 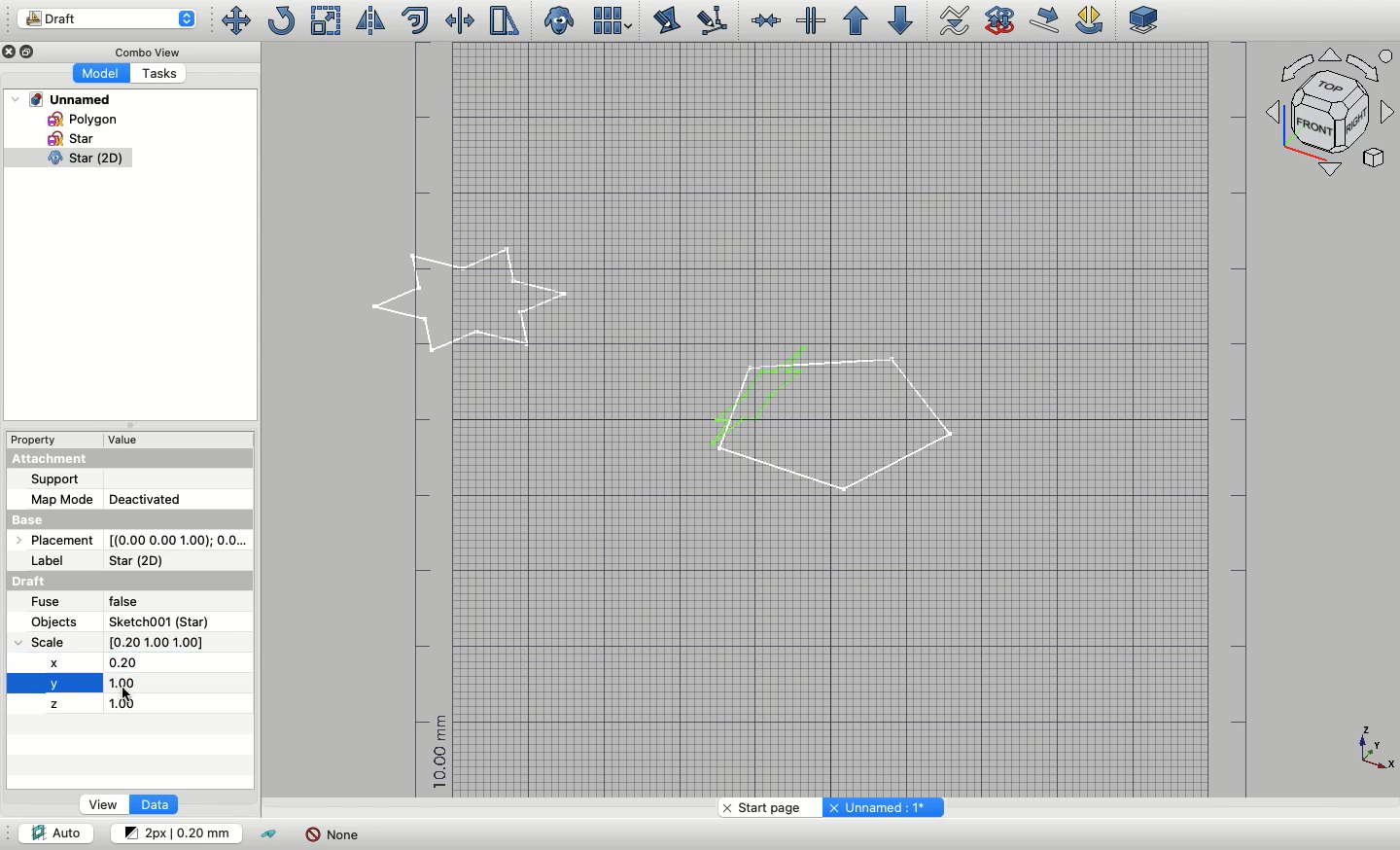 I want to click on Label, so click(x=54, y=561).